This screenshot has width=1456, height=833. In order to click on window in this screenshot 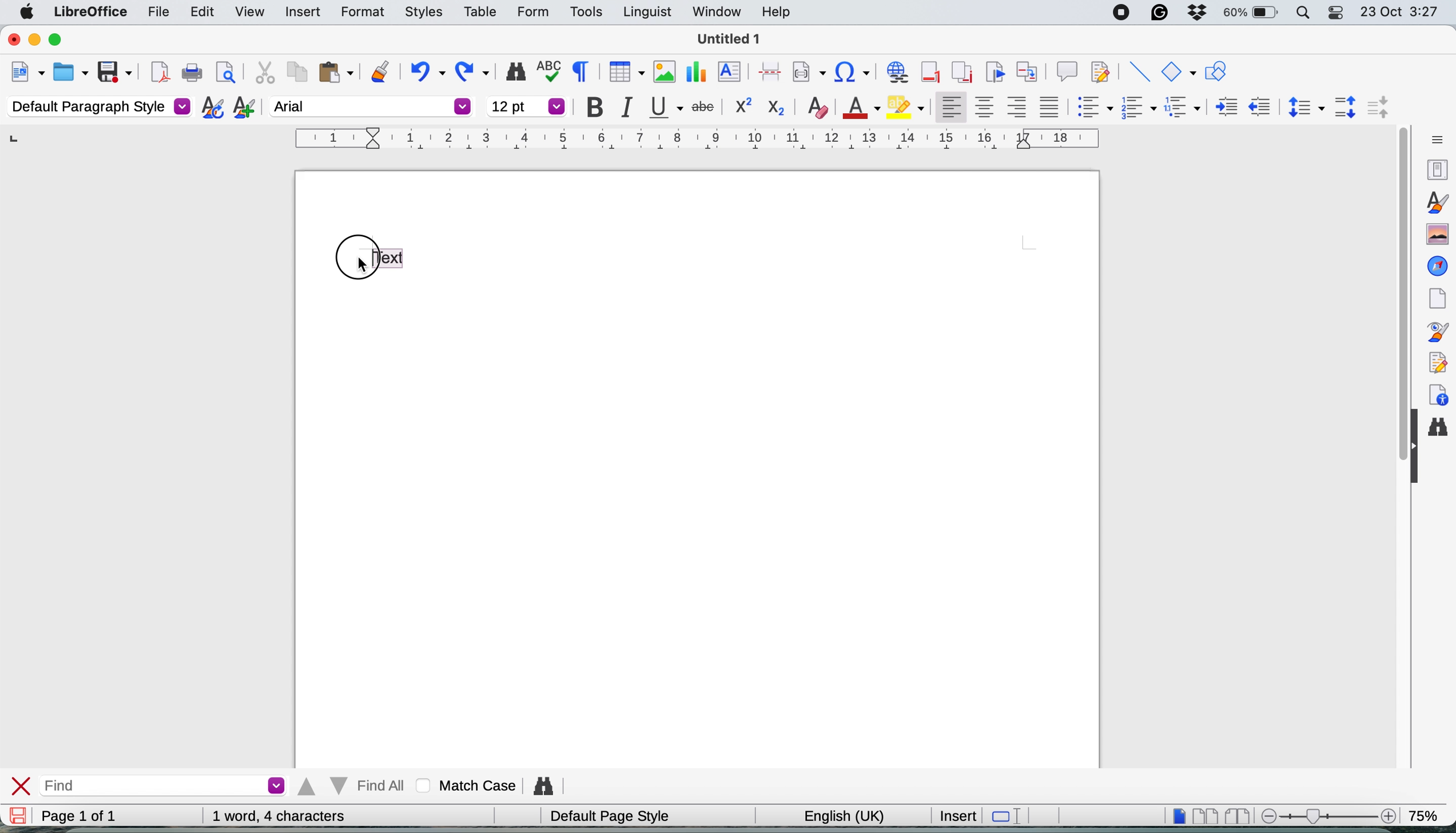, I will do `click(714, 14)`.